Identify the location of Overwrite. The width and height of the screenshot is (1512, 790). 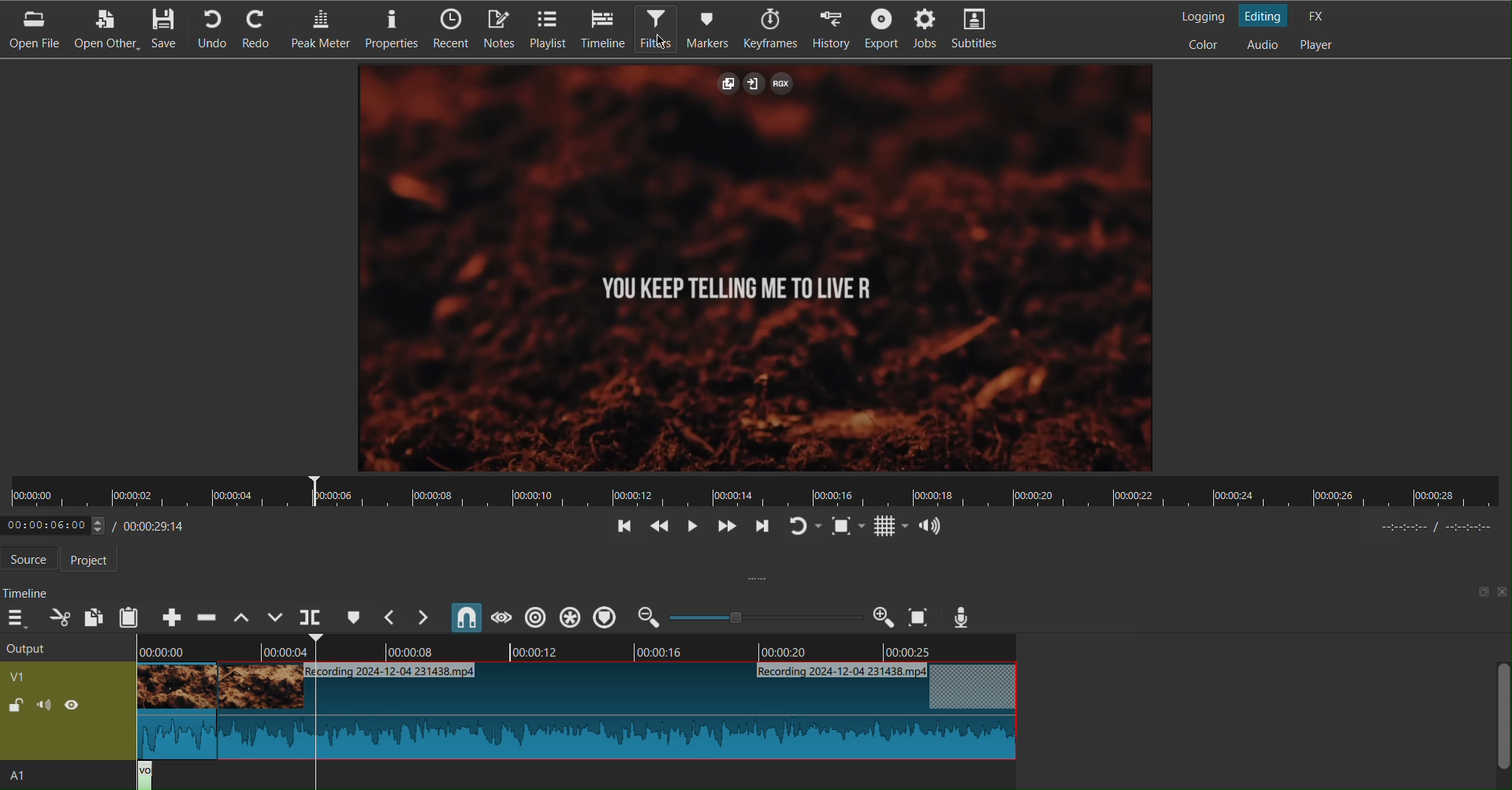
(275, 617).